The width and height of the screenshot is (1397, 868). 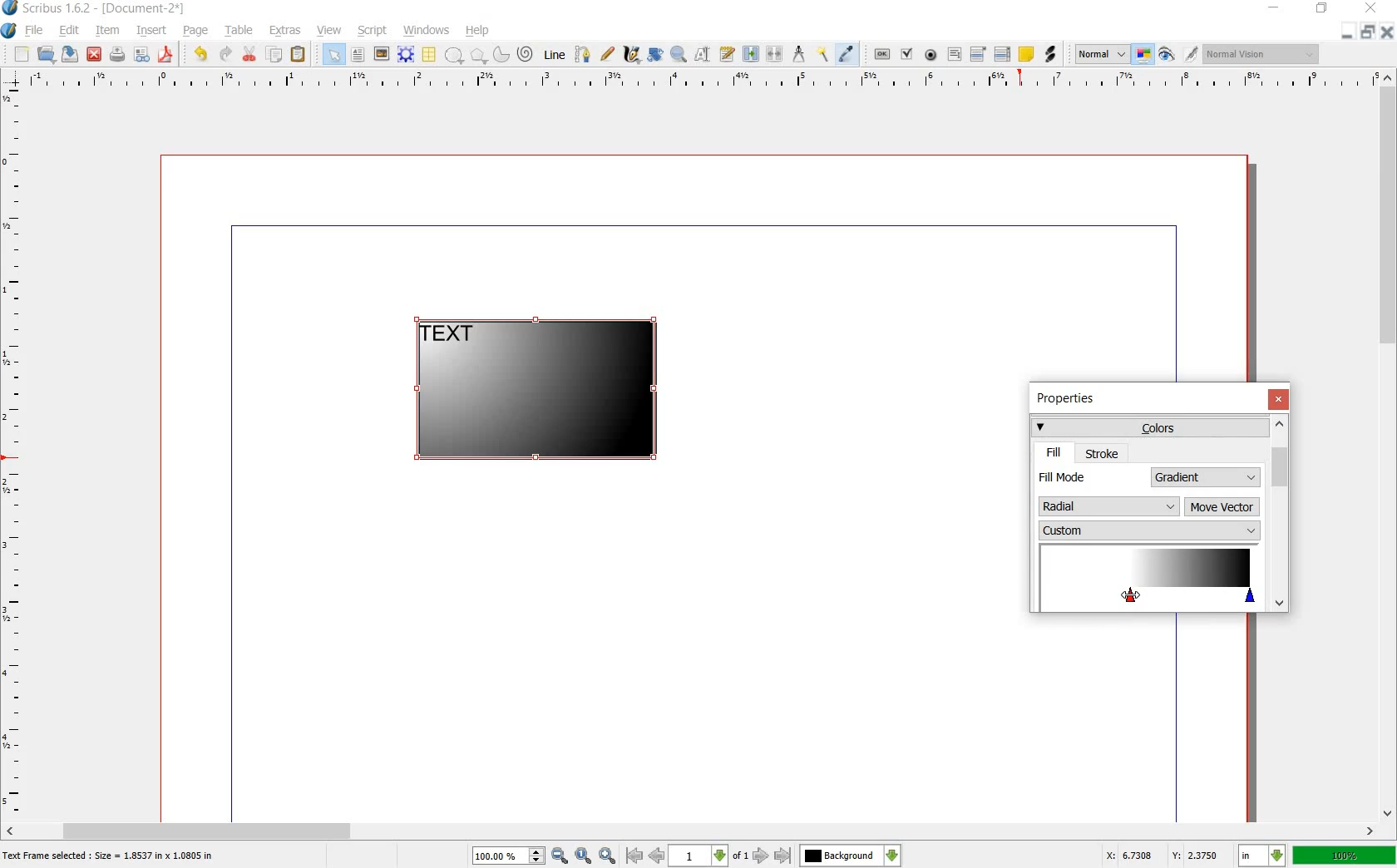 I want to click on preflight verifier, so click(x=141, y=55).